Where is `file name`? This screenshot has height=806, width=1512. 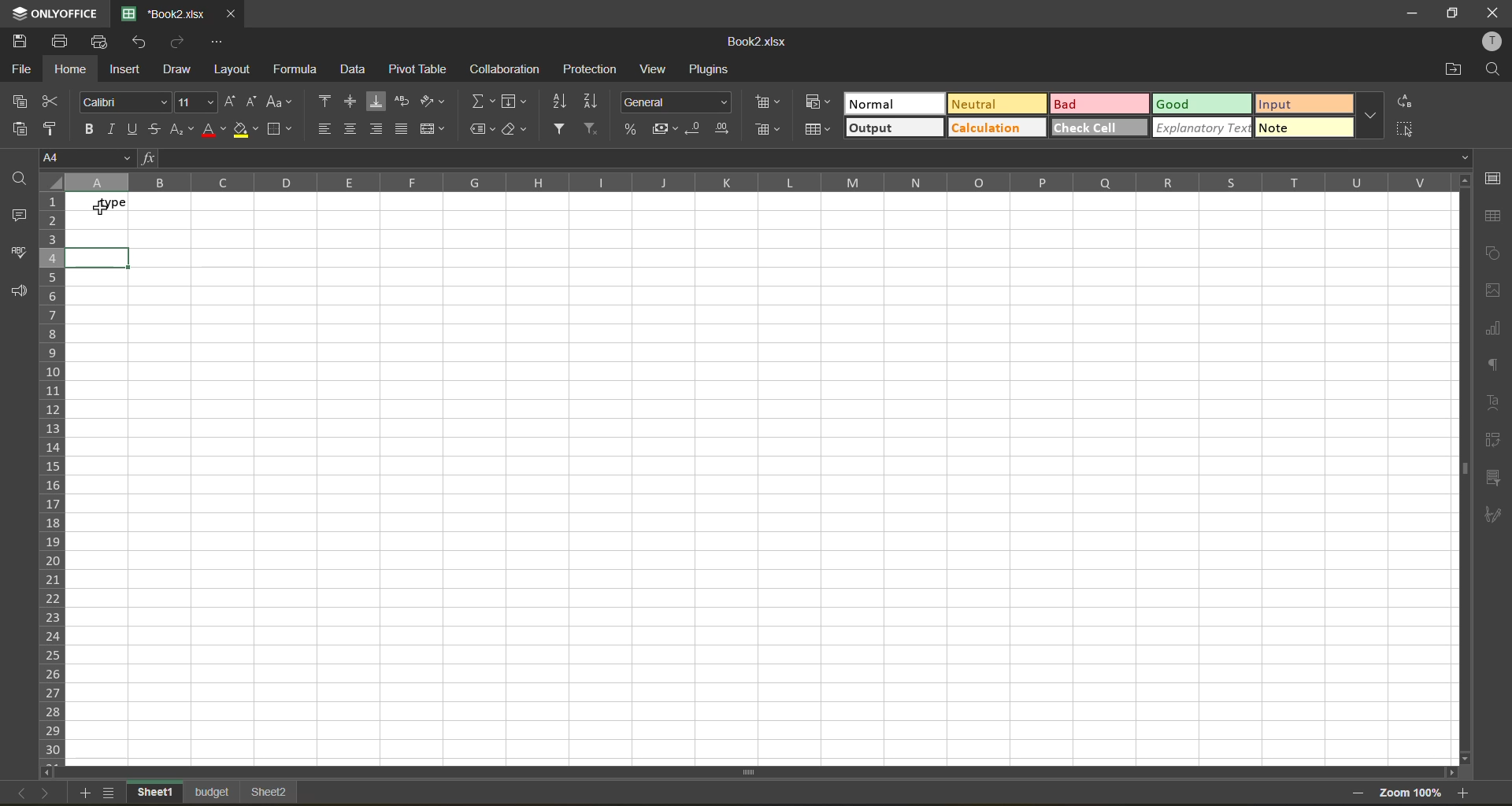
file name is located at coordinates (169, 13).